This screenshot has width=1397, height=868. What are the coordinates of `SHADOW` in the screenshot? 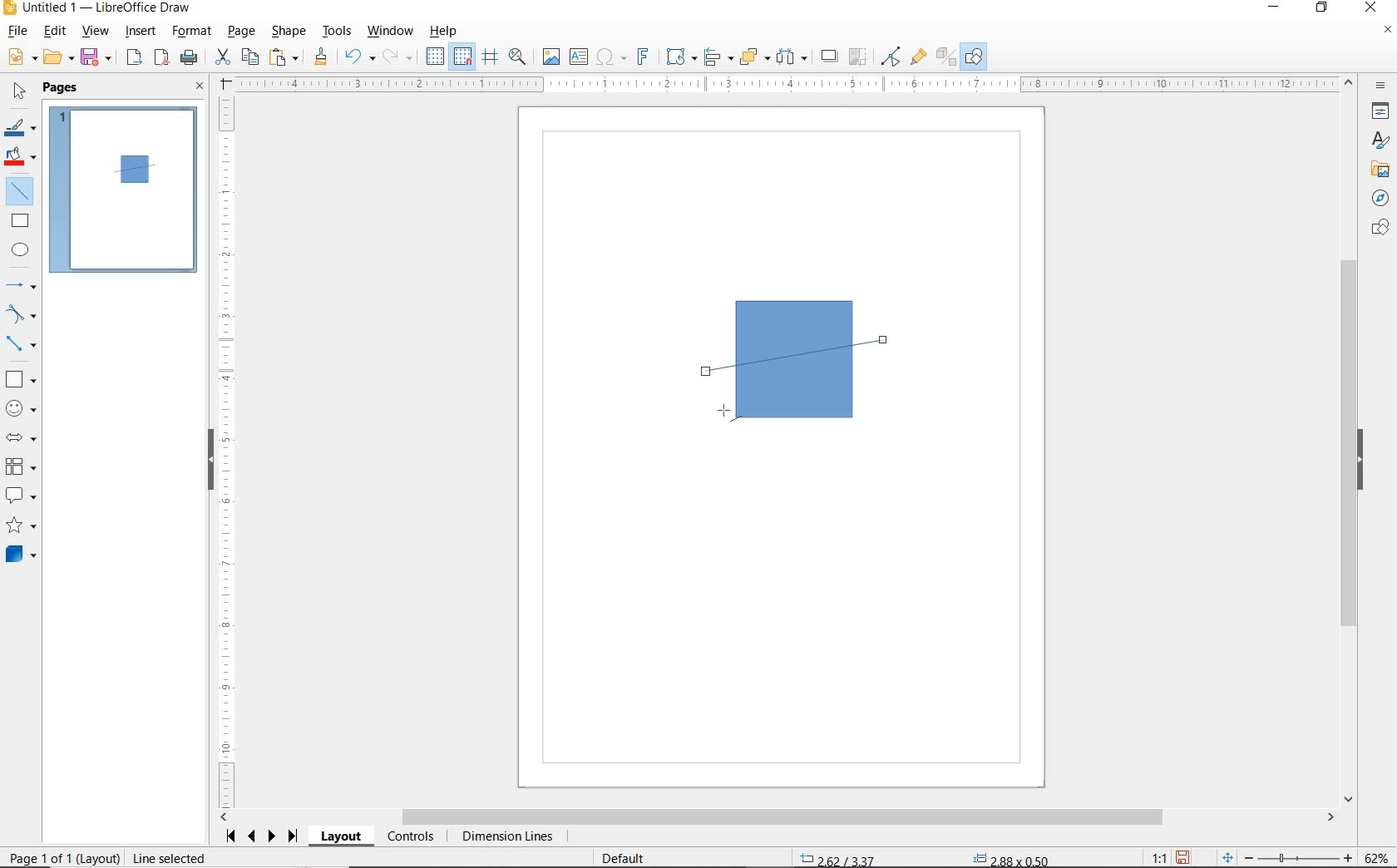 It's located at (830, 57).